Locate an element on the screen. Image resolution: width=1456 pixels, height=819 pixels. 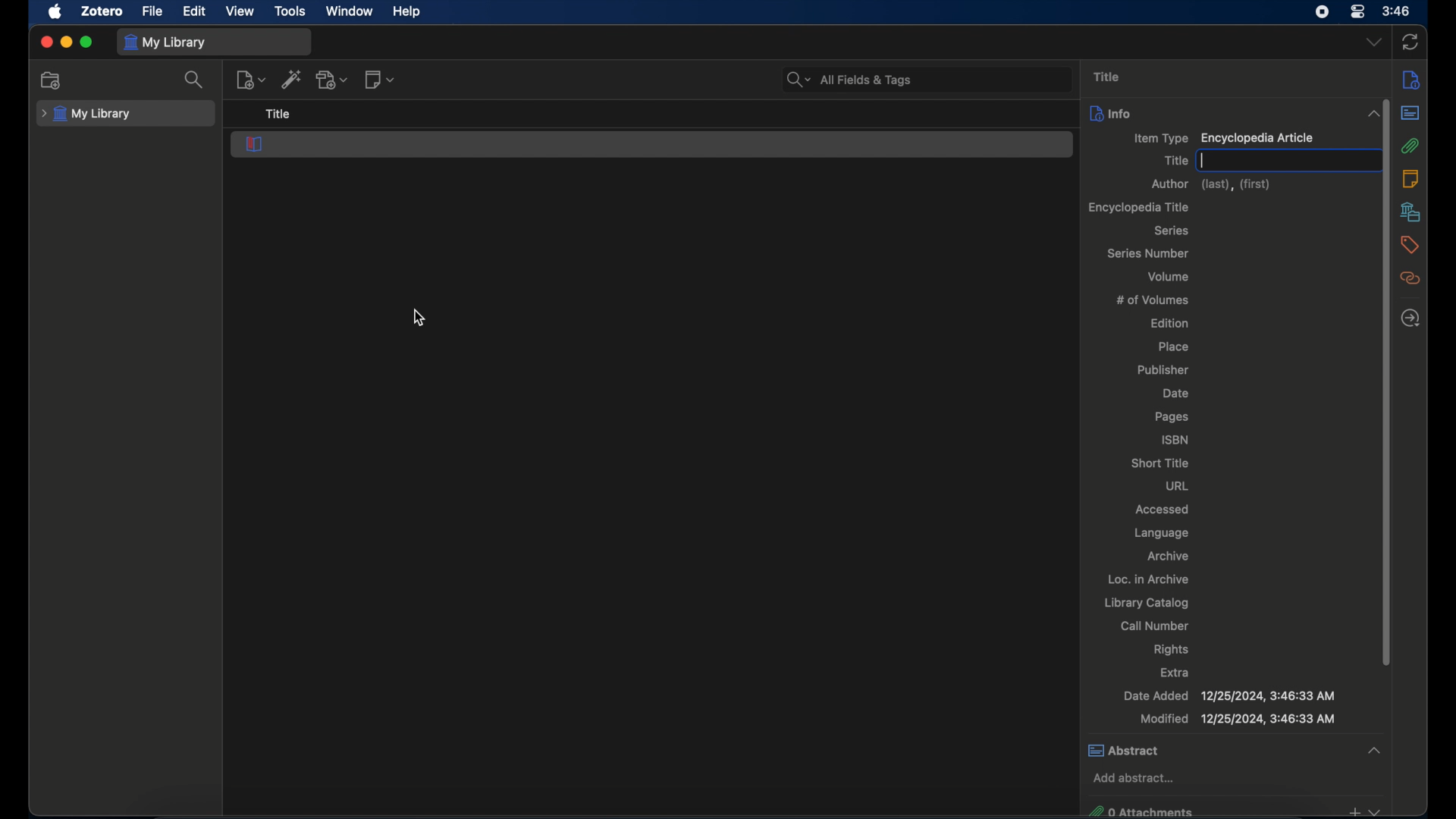
volume is located at coordinates (1169, 276).